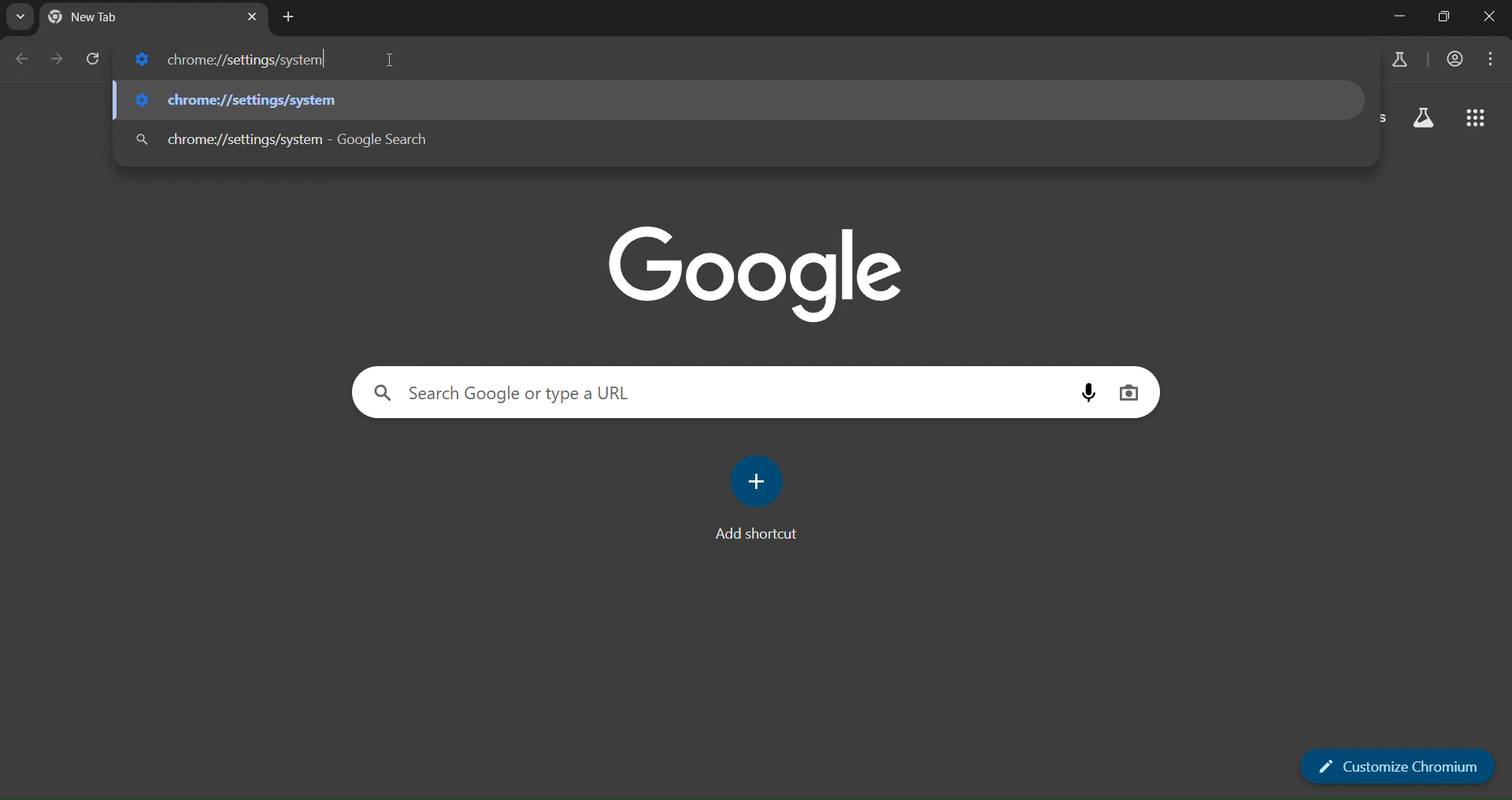 The width and height of the screenshot is (1512, 800). Describe the element at coordinates (1444, 17) in the screenshot. I see `full screen` at that location.